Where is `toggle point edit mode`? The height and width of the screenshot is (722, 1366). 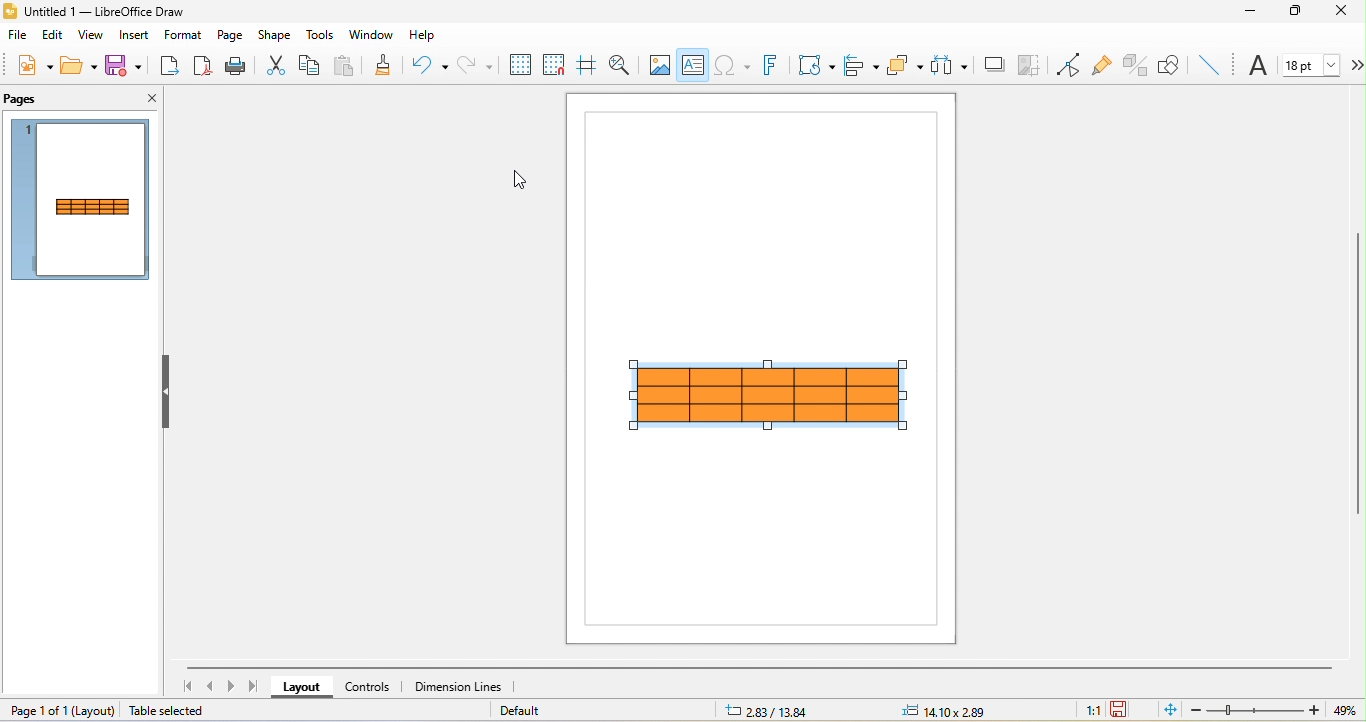 toggle point edit mode is located at coordinates (1067, 65).